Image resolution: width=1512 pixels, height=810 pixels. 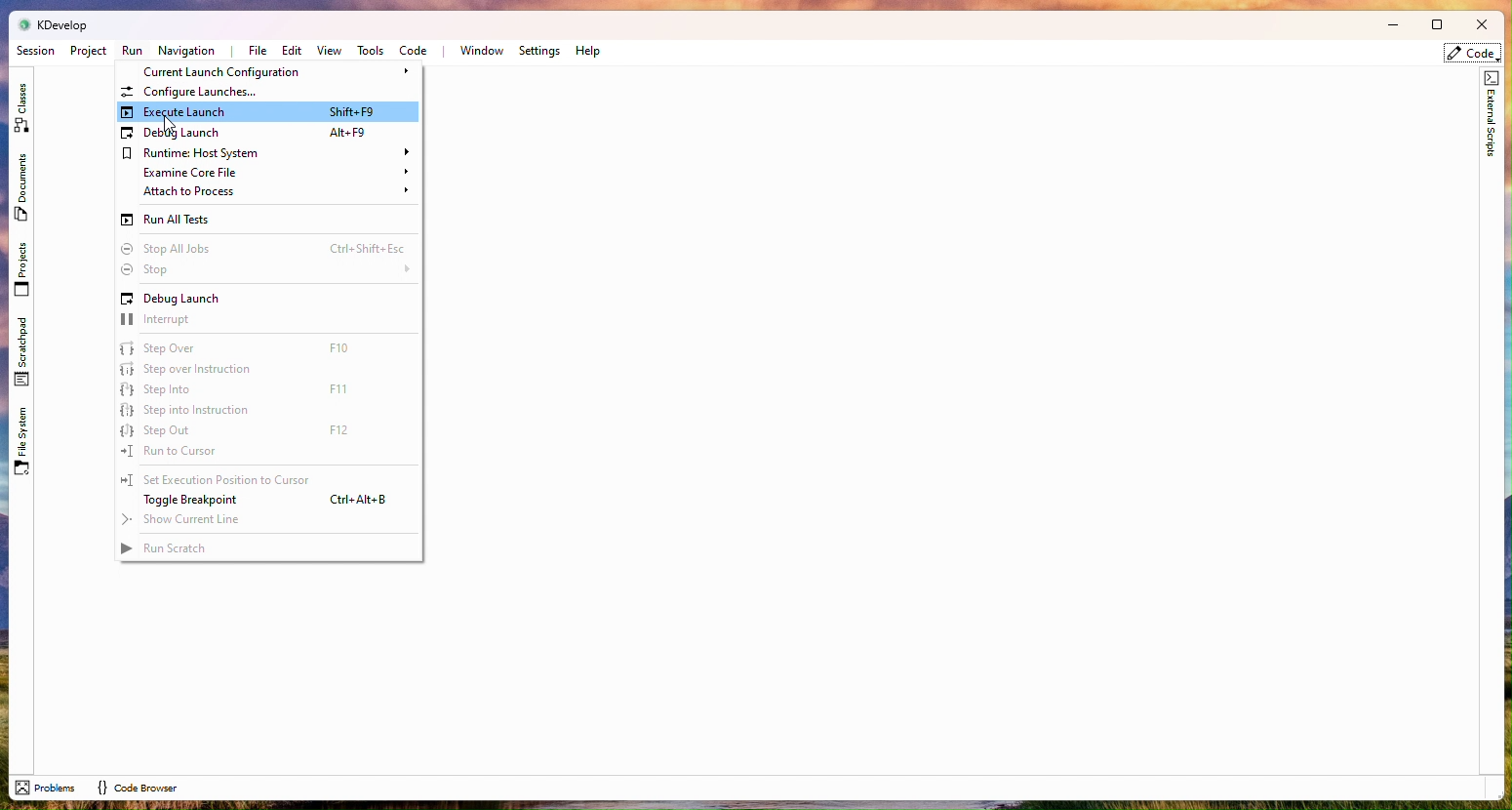 I want to click on Scratchpad, so click(x=25, y=350).